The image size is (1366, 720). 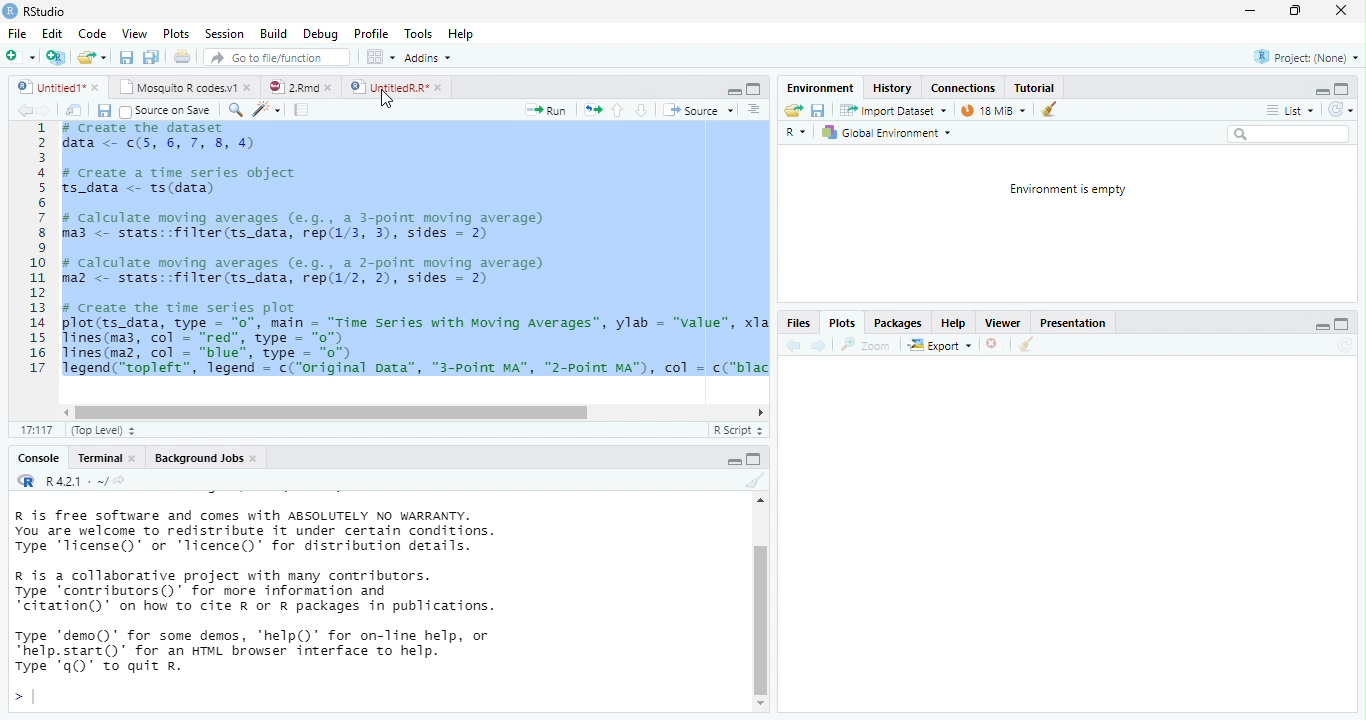 I want to click on close, so click(x=441, y=88).